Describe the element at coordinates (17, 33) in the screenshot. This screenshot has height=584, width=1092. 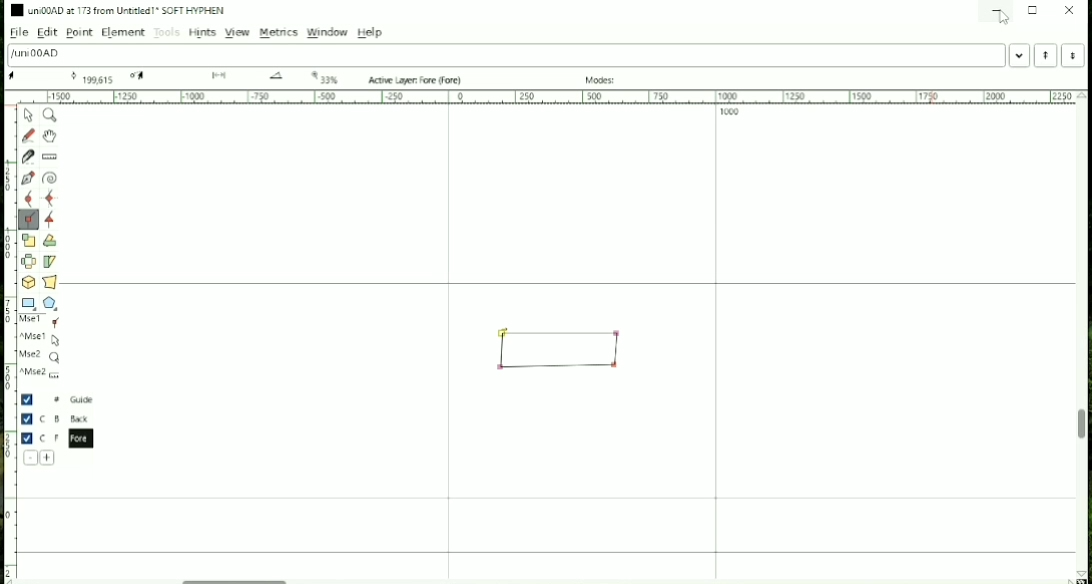
I see `File` at that location.